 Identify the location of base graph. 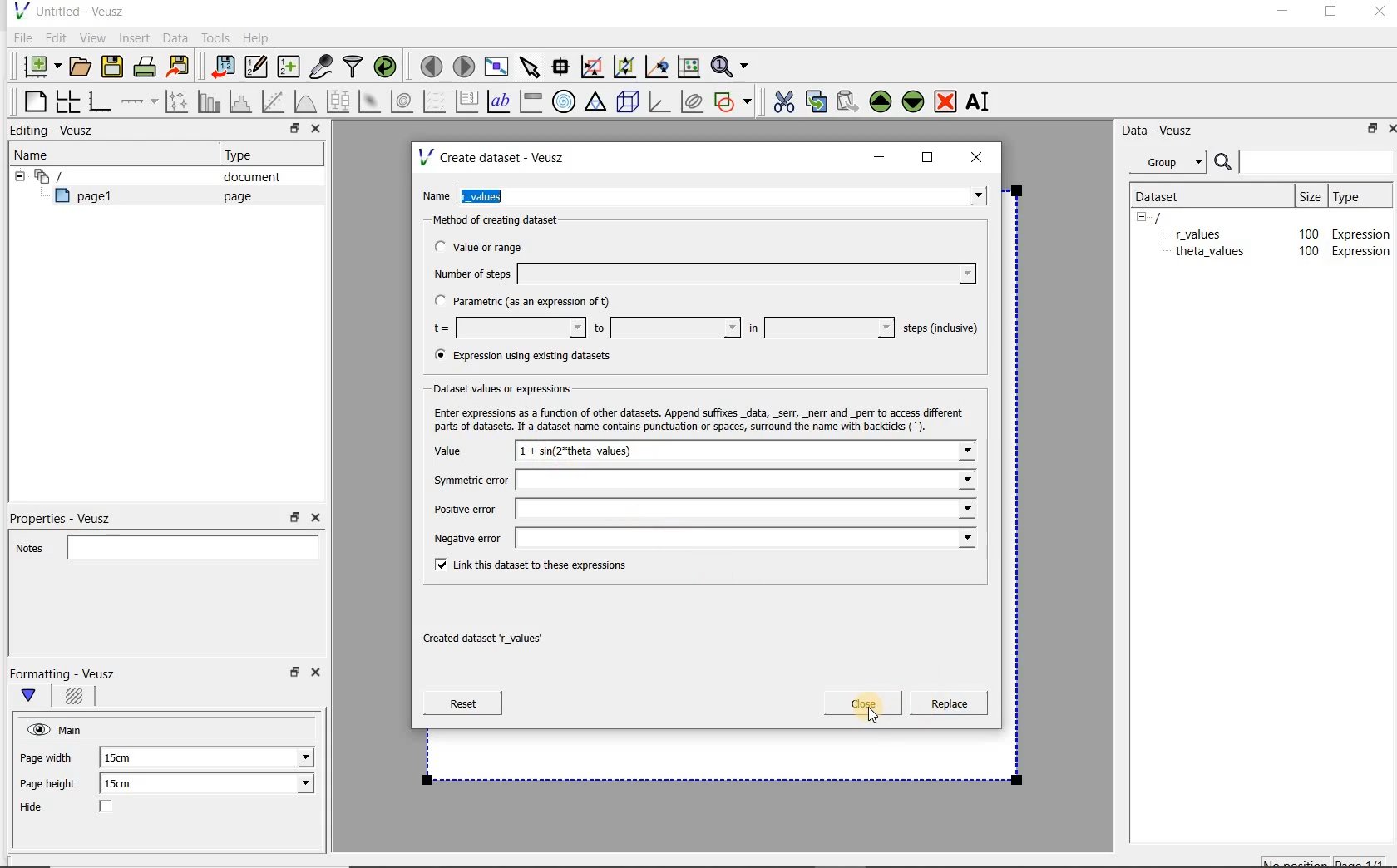
(99, 102).